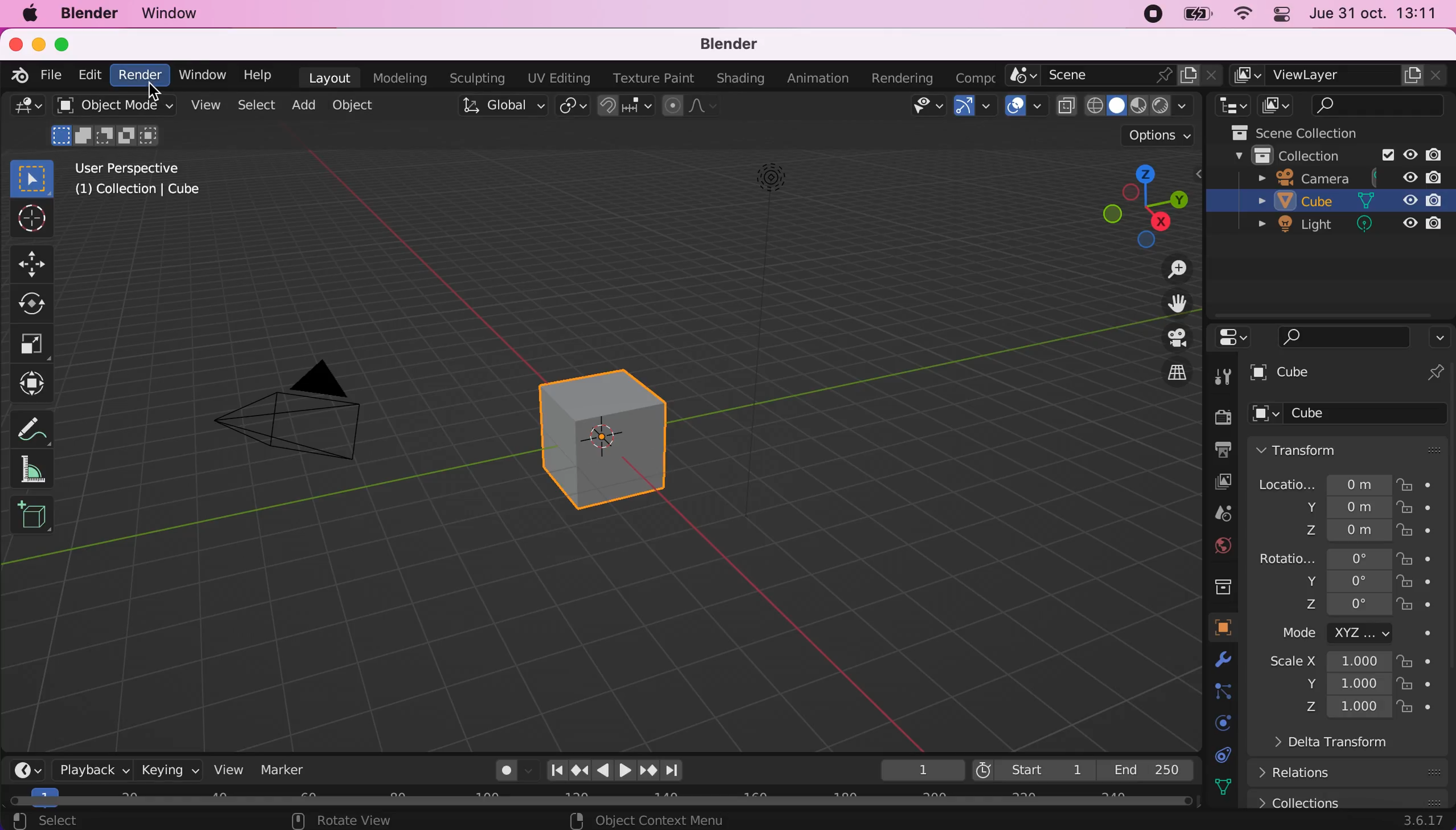  I want to click on animation, so click(817, 78).